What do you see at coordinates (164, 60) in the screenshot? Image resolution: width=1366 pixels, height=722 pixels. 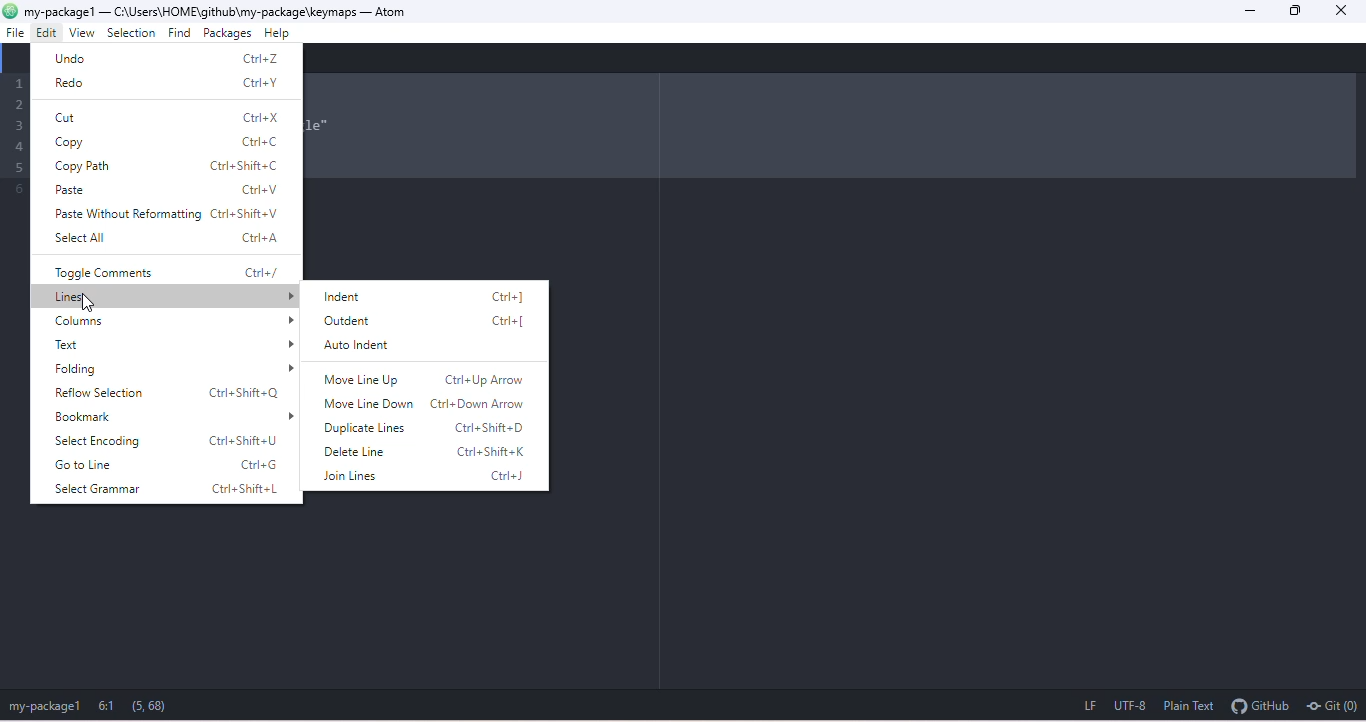 I see `undo` at bounding box center [164, 60].